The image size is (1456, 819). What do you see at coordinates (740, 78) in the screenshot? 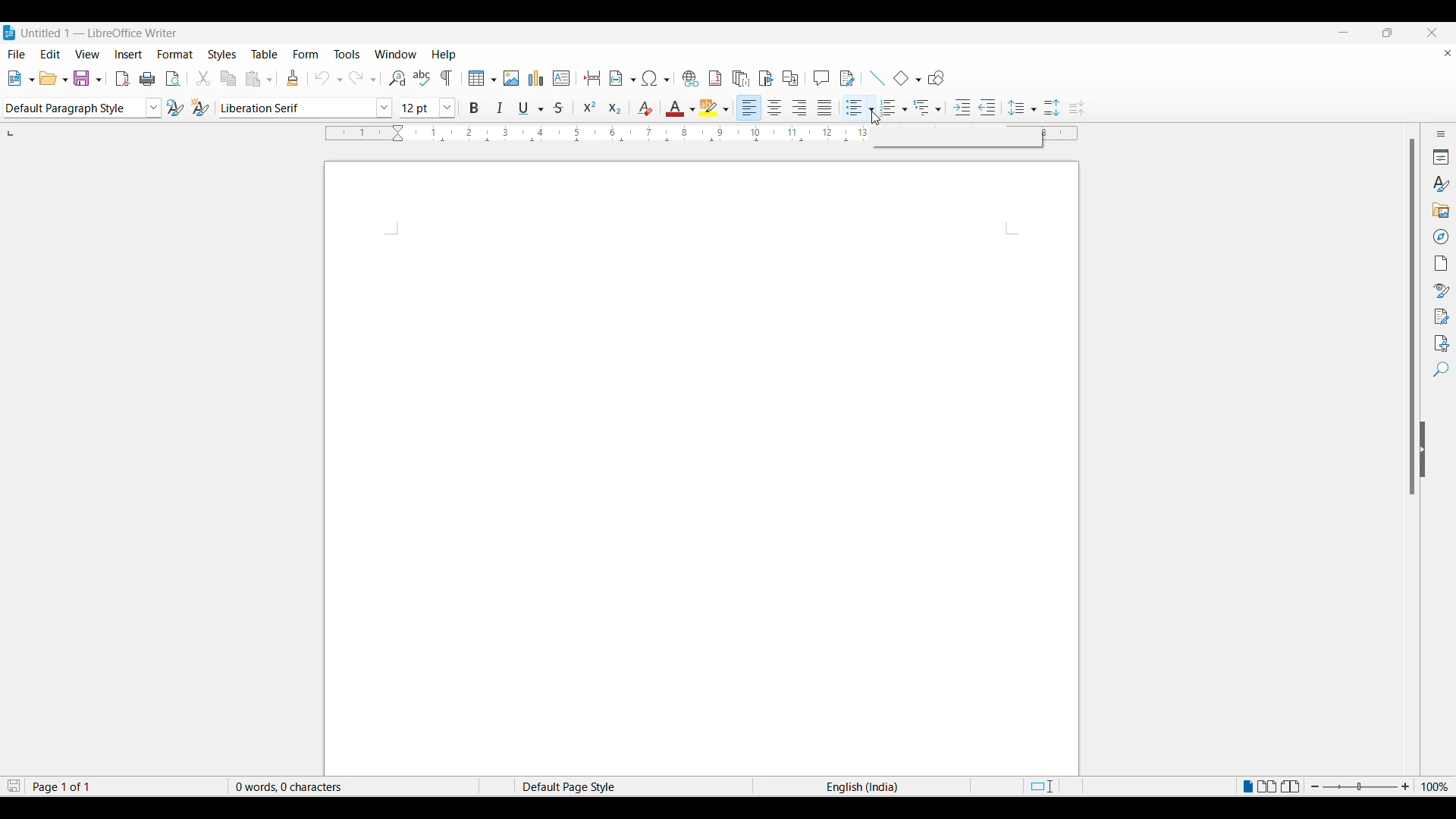
I see `insert endnote` at bounding box center [740, 78].